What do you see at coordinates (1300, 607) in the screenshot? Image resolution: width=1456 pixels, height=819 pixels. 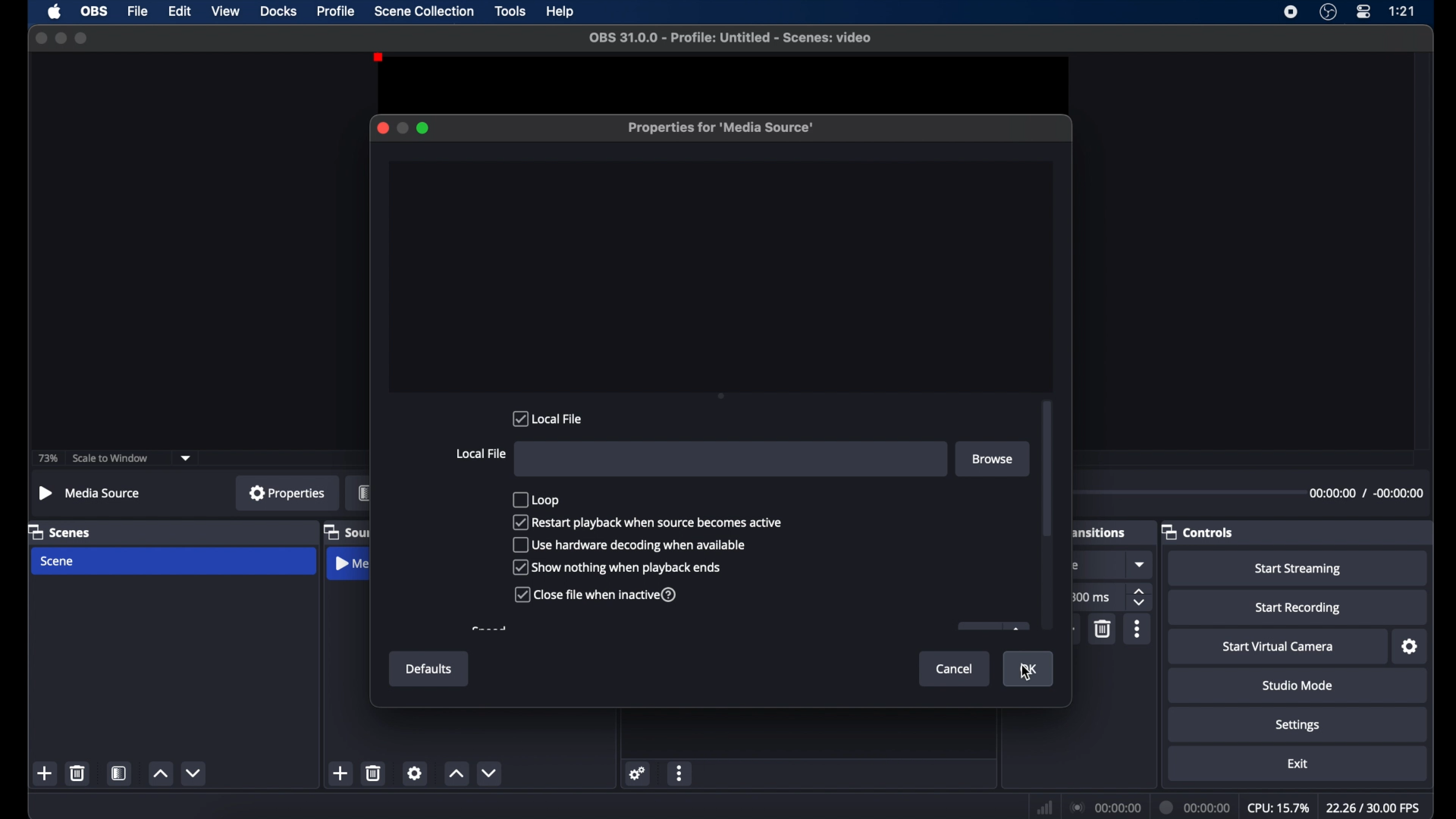 I see `start recording` at bounding box center [1300, 607].